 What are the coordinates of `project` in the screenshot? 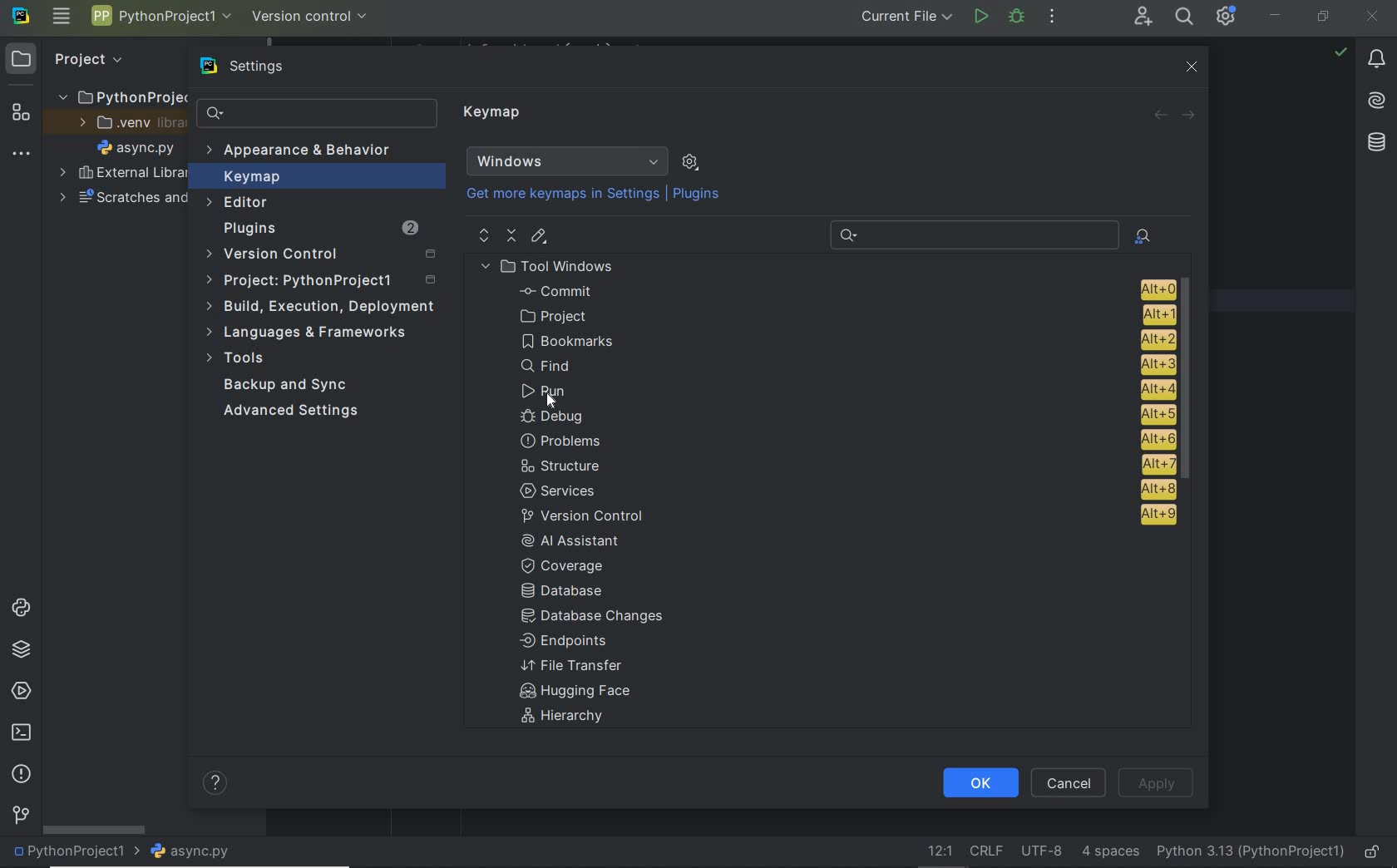 It's located at (842, 315).